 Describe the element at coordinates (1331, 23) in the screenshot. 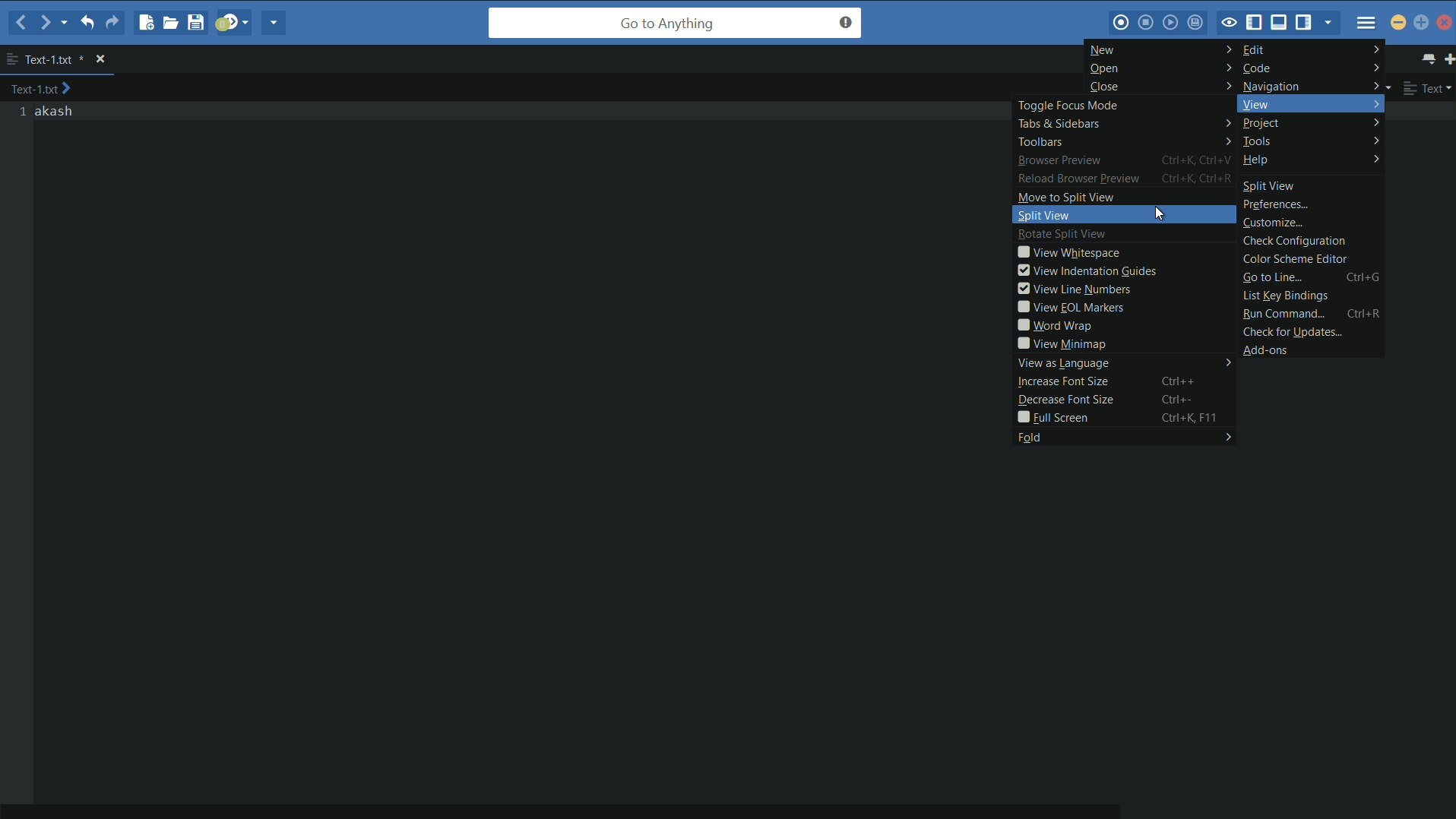

I see `show specific sidebar/tab` at that location.